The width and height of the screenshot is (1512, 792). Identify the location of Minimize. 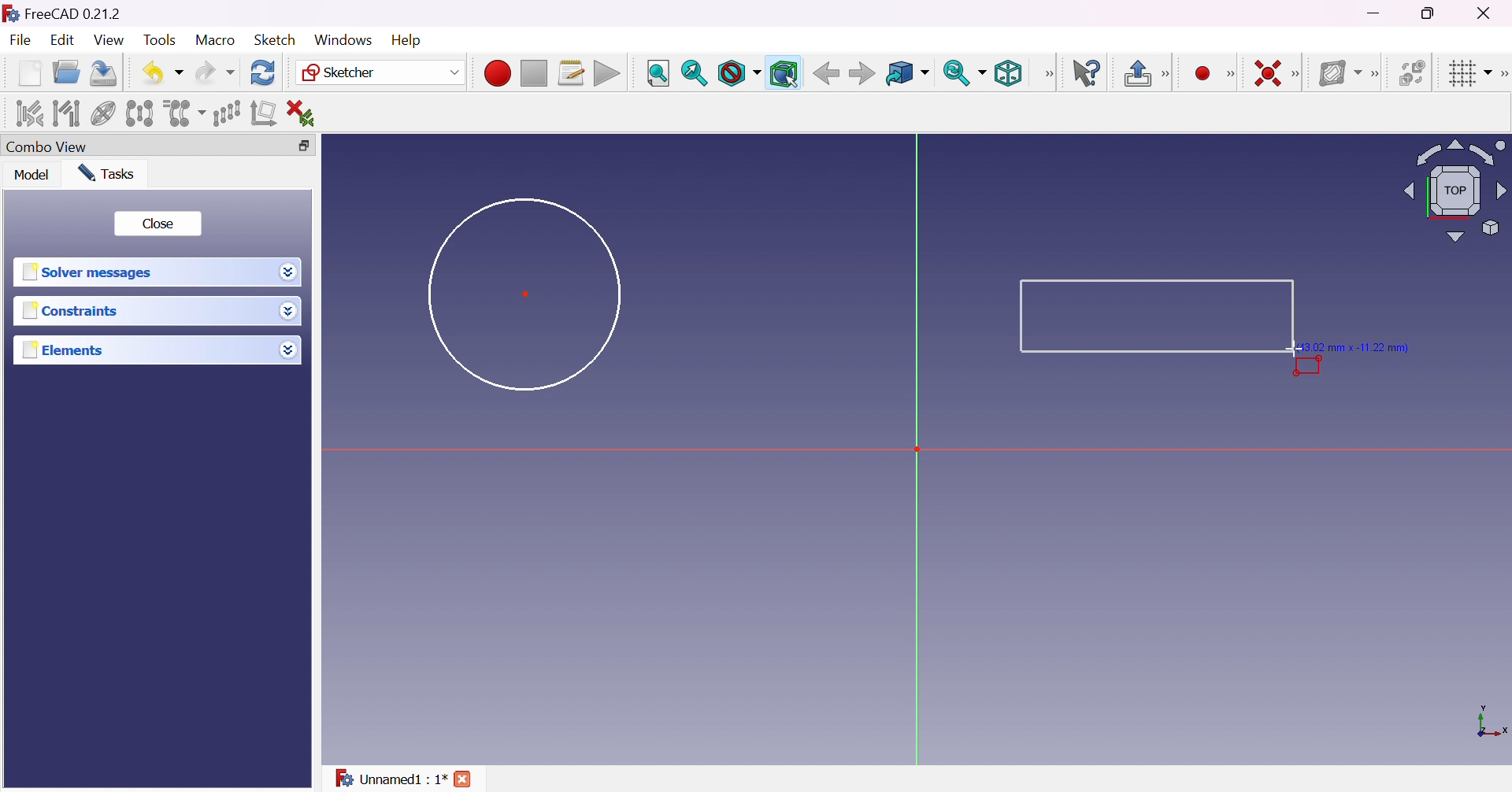
(1377, 13).